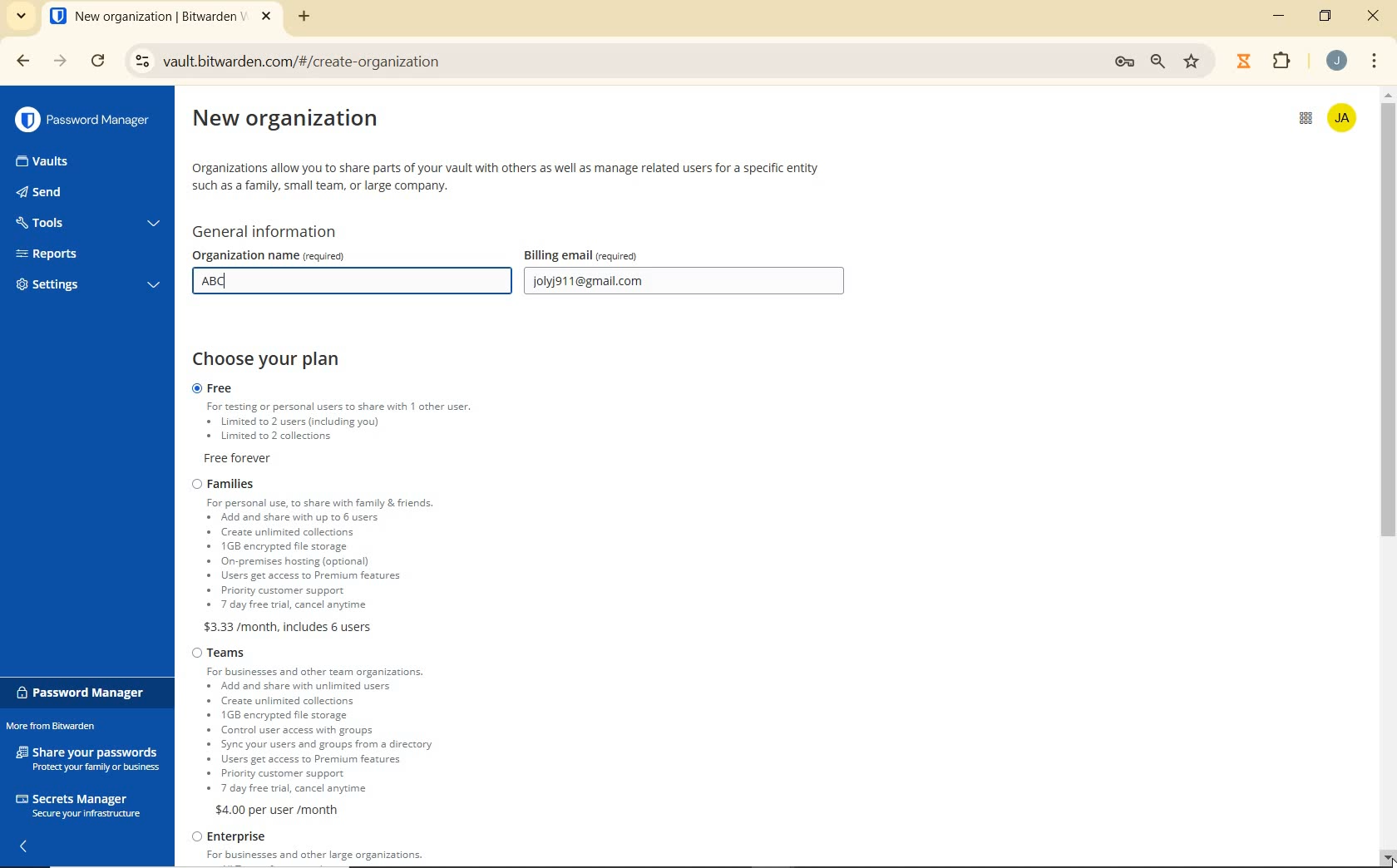 The height and width of the screenshot is (868, 1397). I want to click on zoom, so click(1160, 62).